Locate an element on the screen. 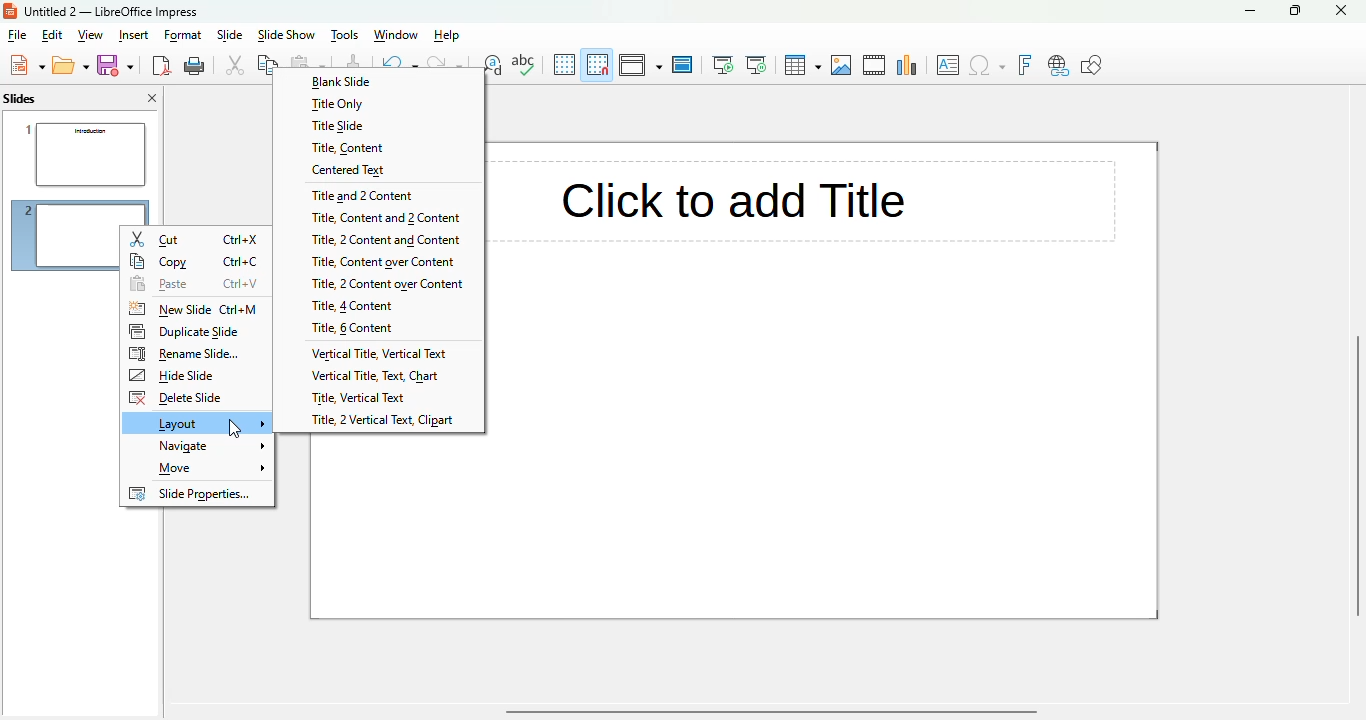 Image resolution: width=1366 pixels, height=720 pixels. slide 1 selected is located at coordinates (80, 151).